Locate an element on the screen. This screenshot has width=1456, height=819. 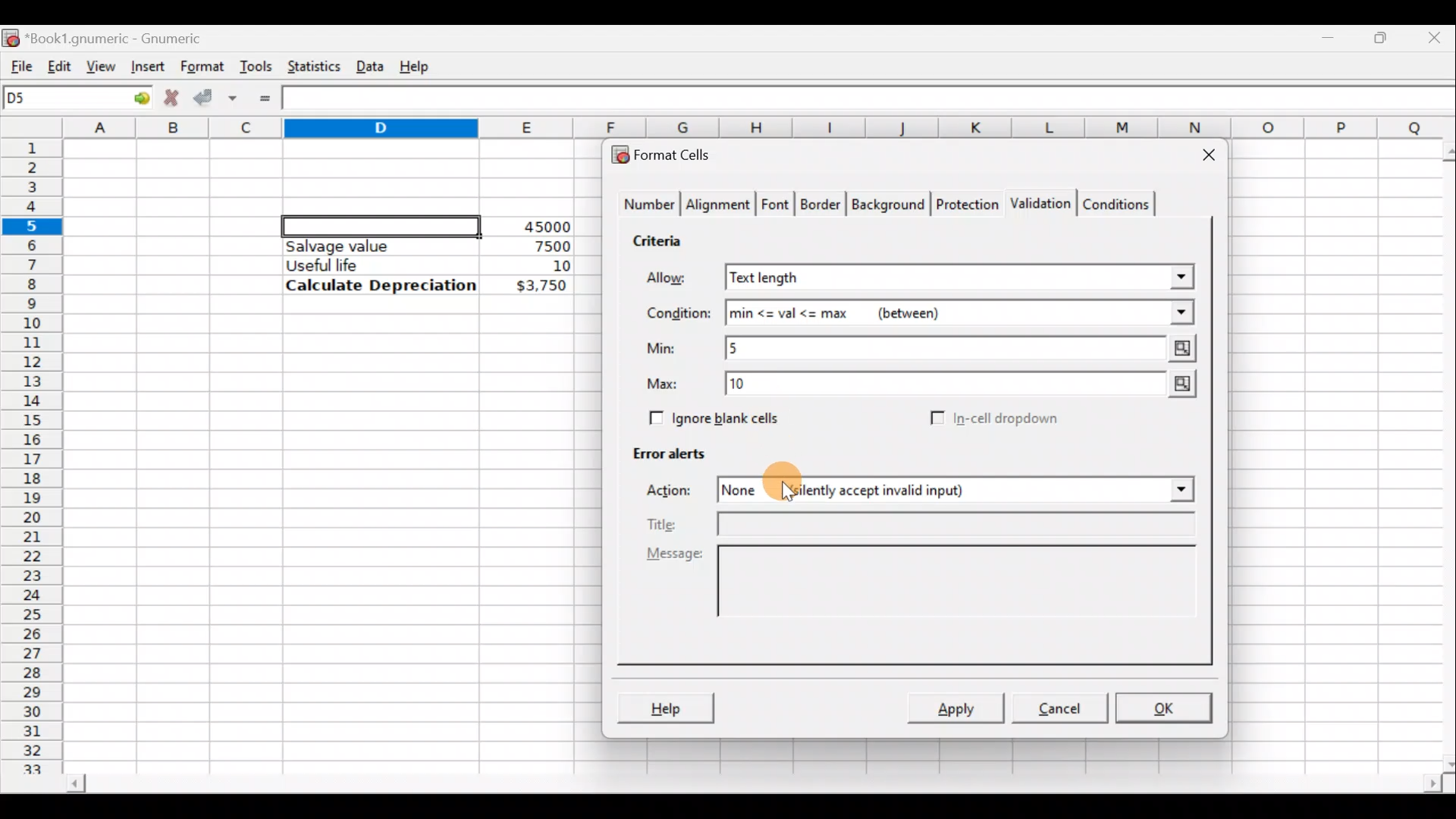
Help is located at coordinates (665, 710).